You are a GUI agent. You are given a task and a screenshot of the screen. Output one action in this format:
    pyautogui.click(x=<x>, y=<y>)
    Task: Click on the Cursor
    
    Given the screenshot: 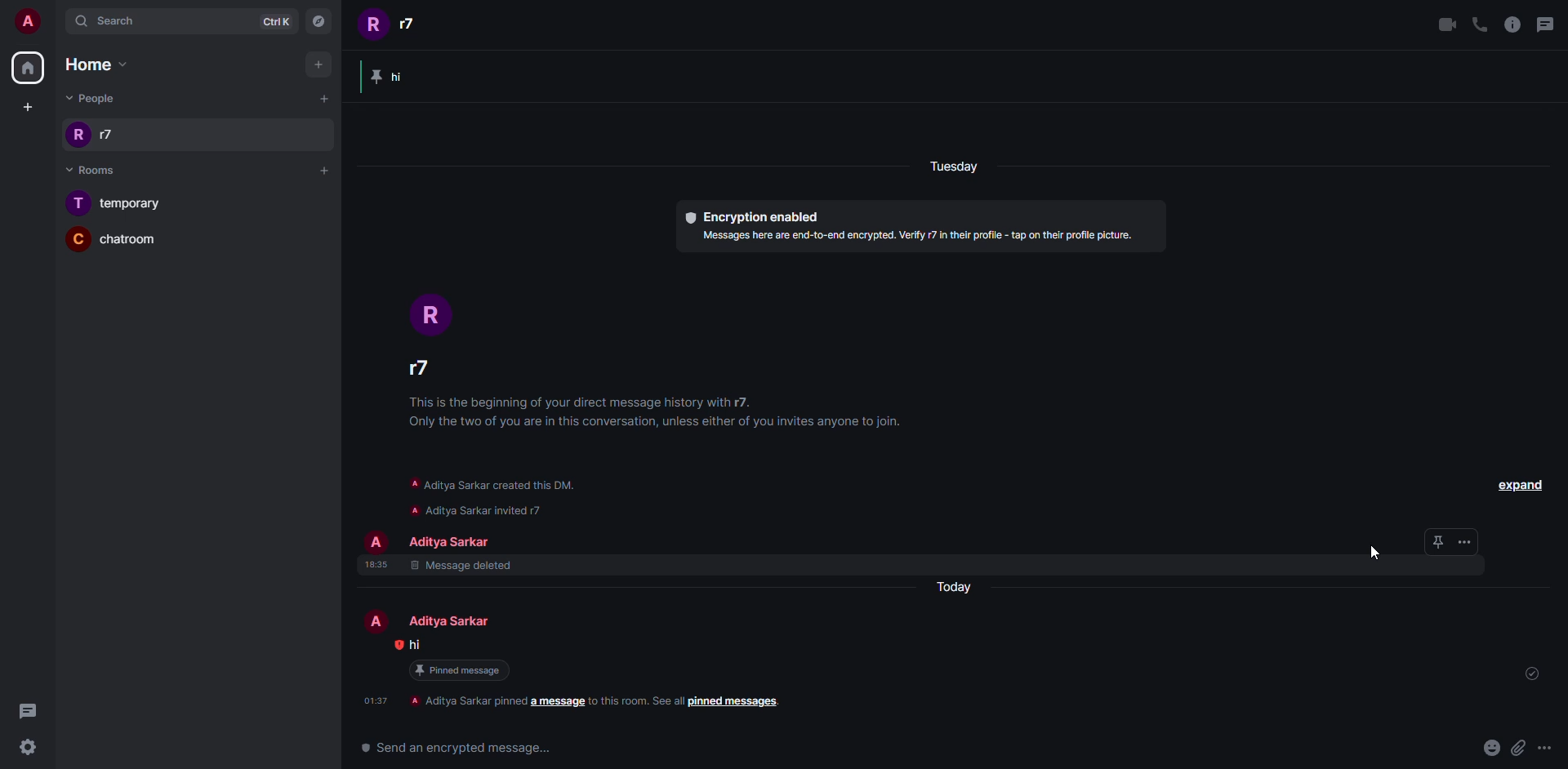 What is the action you would take?
    pyautogui.click(x=1376, y=550)
    